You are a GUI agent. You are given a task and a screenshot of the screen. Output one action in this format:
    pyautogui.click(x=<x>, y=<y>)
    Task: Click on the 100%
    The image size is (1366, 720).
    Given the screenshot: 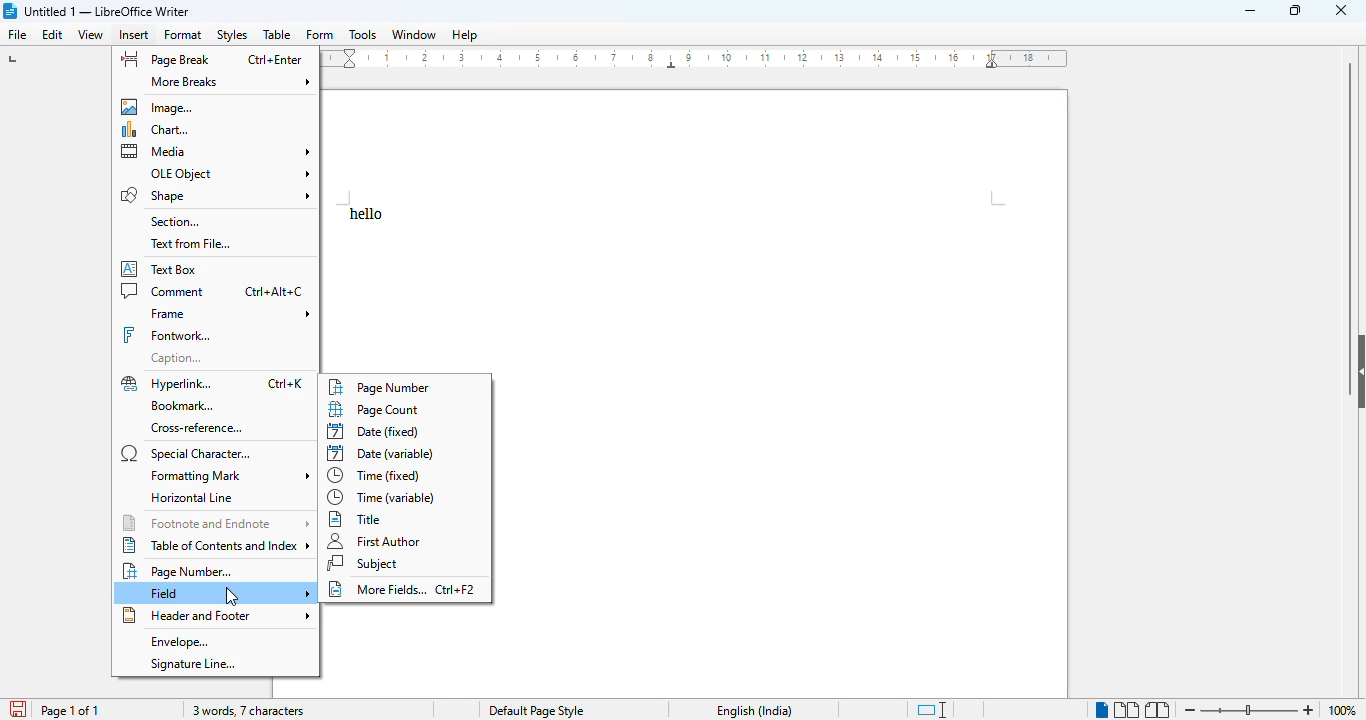 What is the action you would take?
    pyautogui.click(x=1341, y=712)
    